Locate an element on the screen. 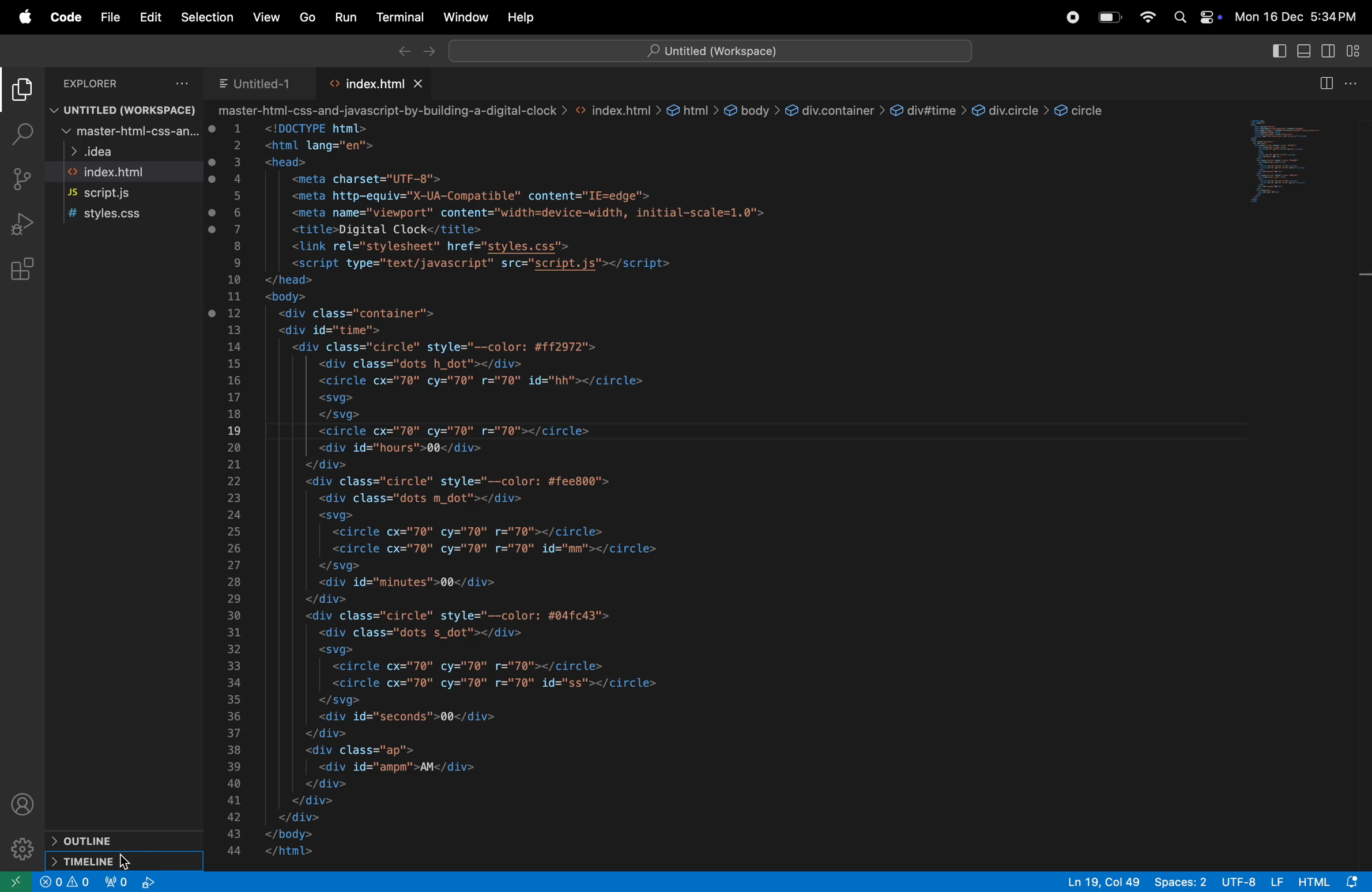 The image size is (1372, 892). options is located at coordinates (1354, 86).